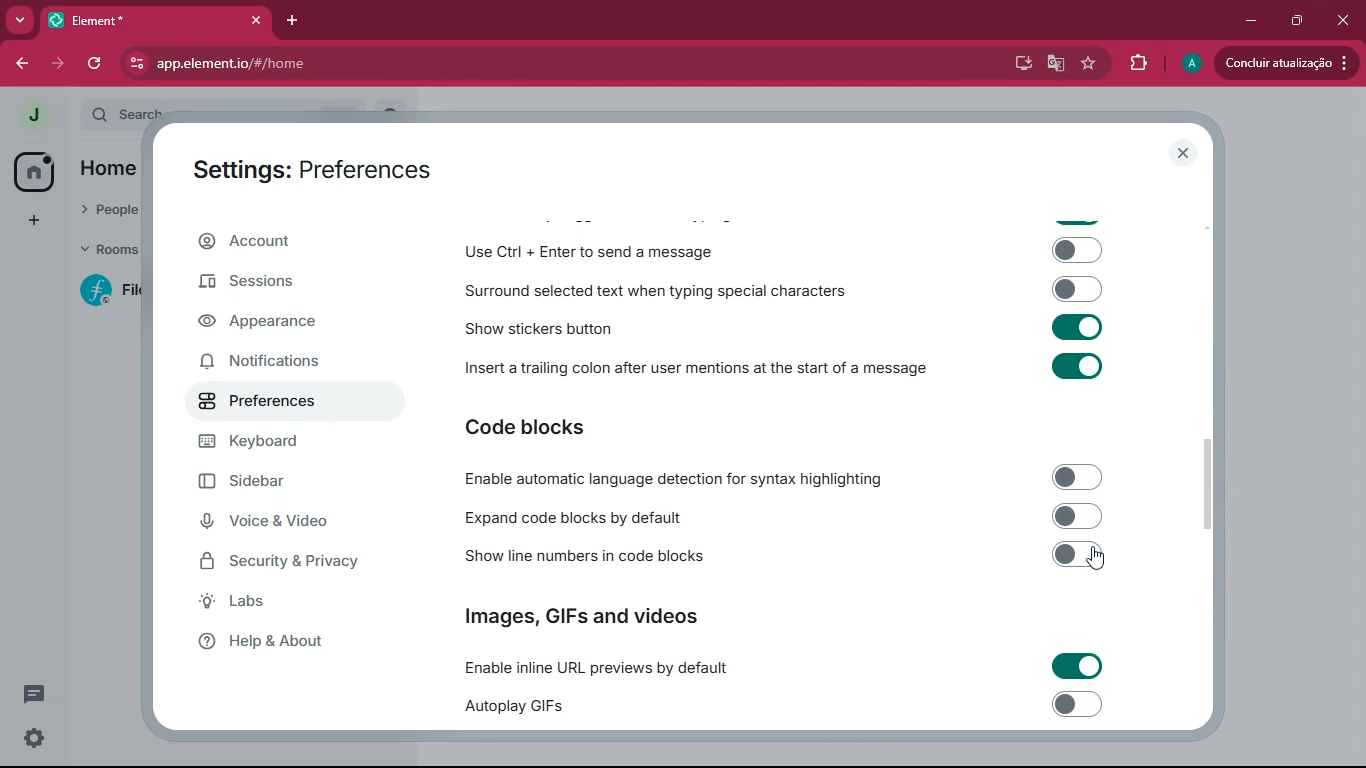 This screenshot has width=1366, height=768. What do you see at coordinates (34, 222) in the screenshot?
I see `more` at bounding box center [34, 222].